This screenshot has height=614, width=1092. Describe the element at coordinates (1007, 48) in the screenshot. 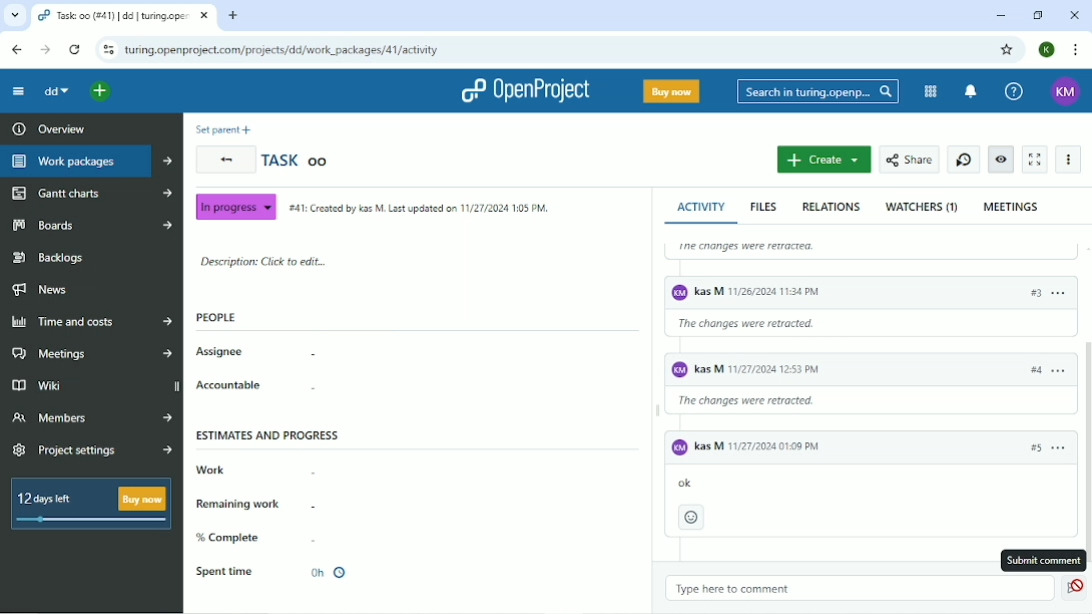

I see `Bookmark this tab` at that location.